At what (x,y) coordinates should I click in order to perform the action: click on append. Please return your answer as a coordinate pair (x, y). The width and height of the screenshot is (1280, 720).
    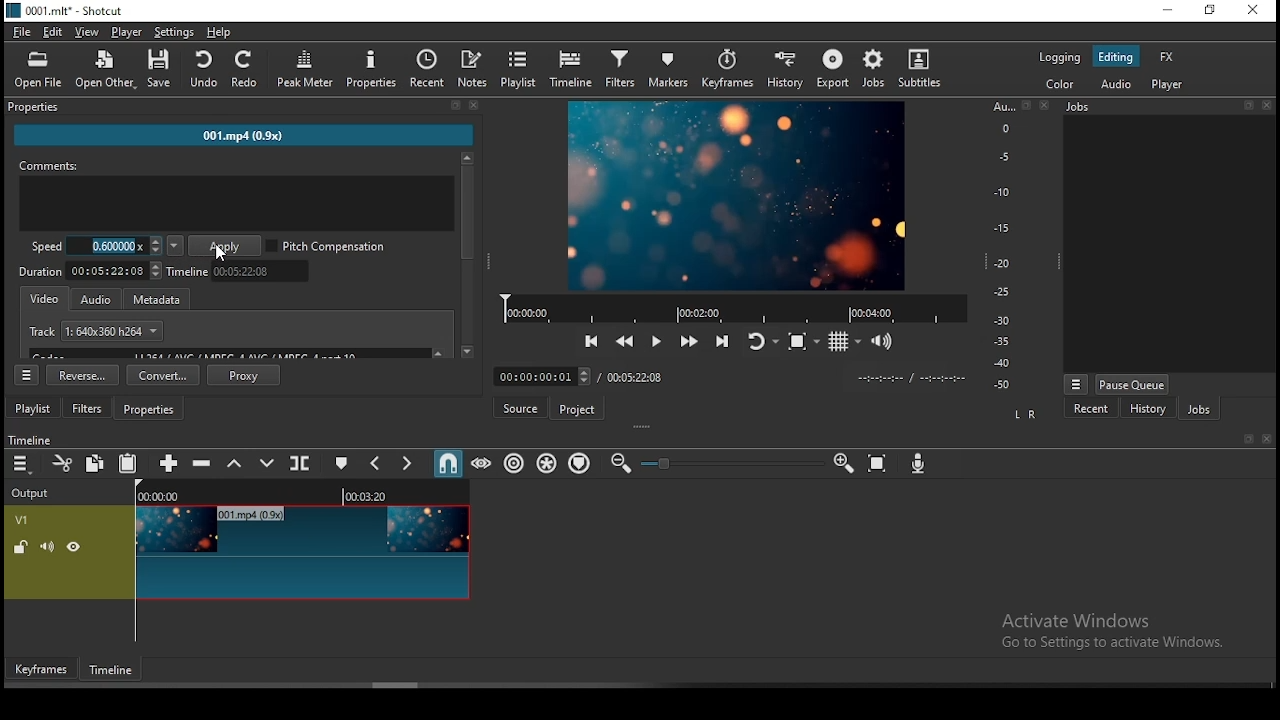
    Looking at the image, I should click on (166, 460).